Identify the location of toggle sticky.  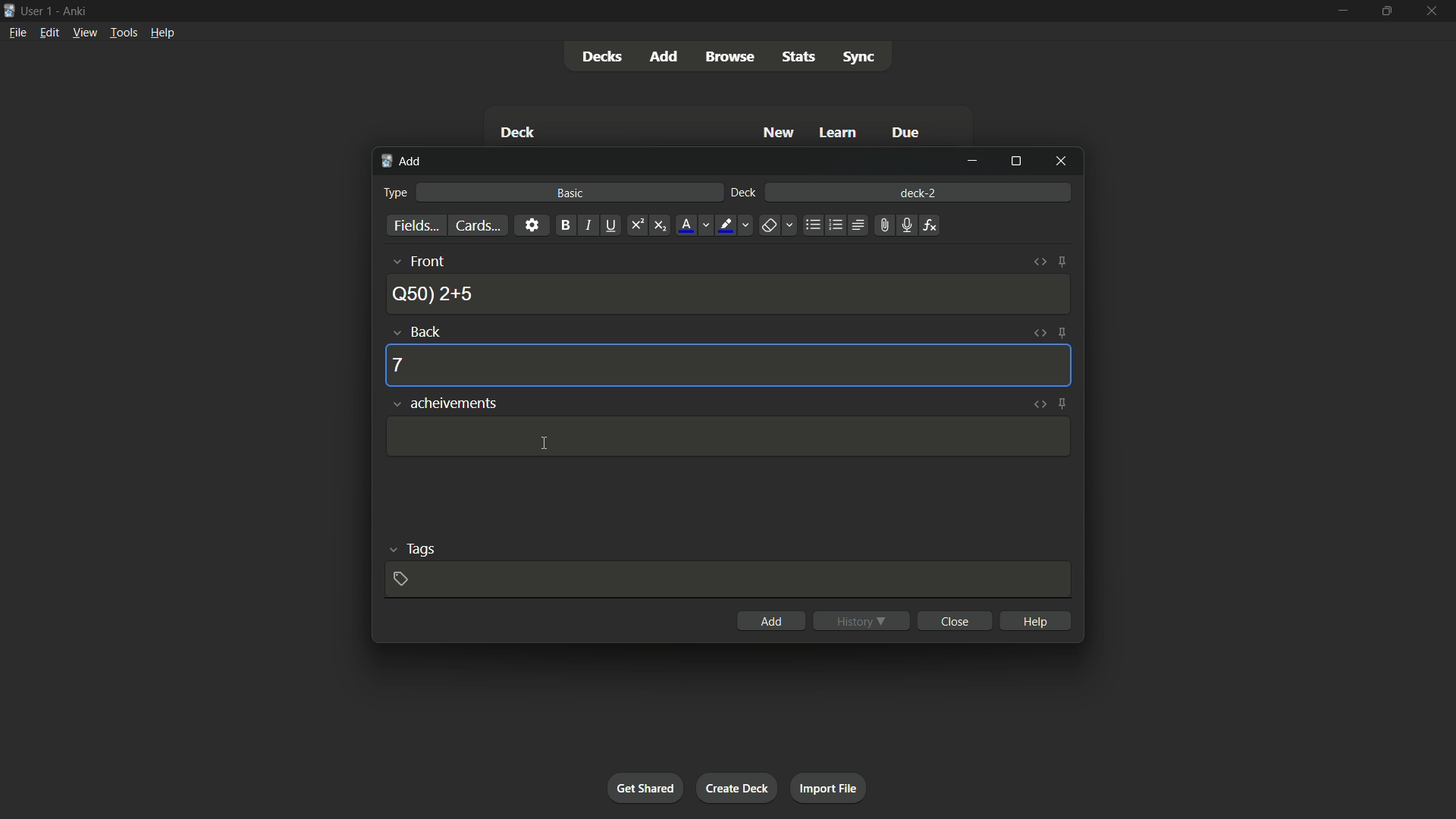
(1062, 263).